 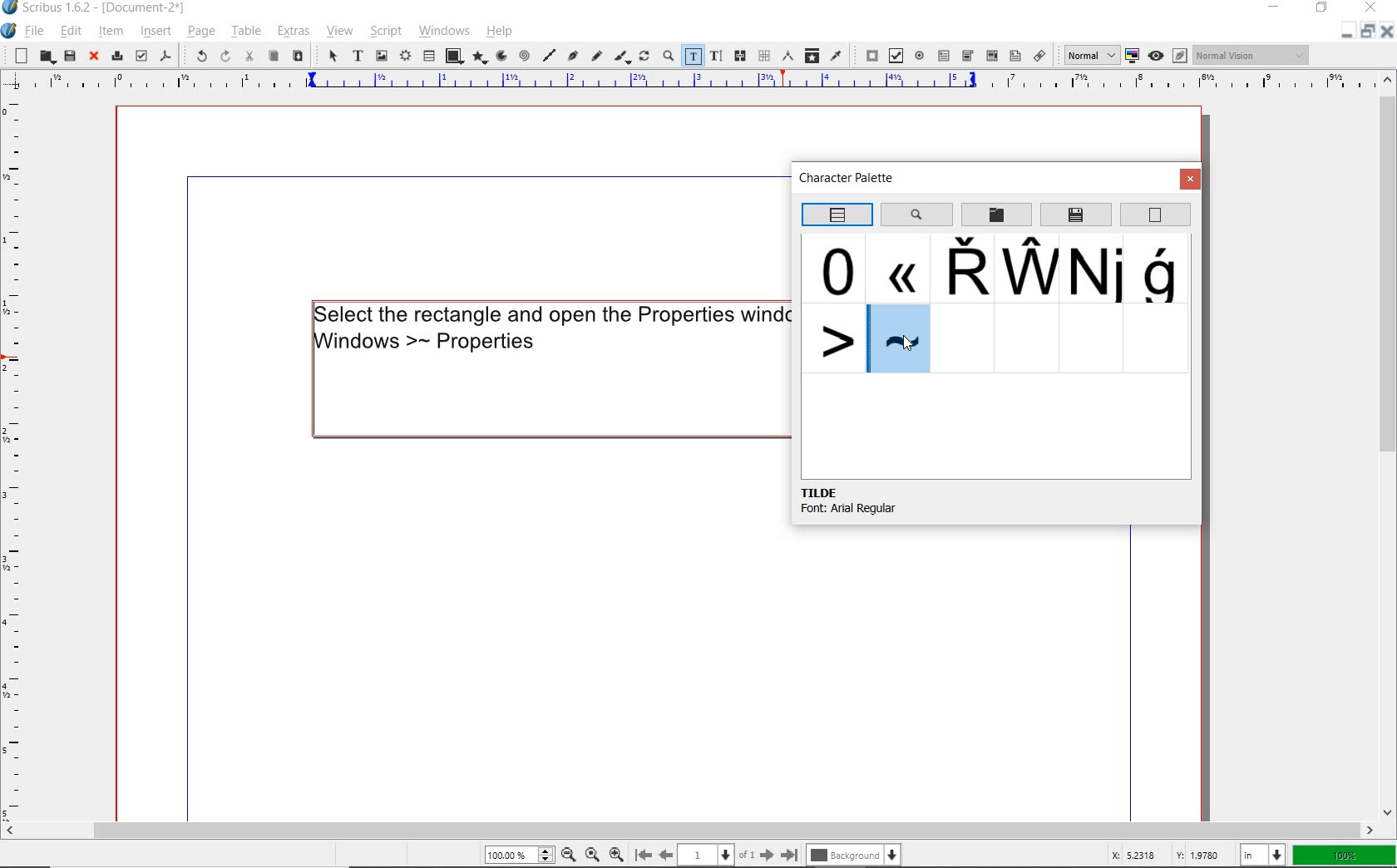 What do you see at coordinates (501, 56) in the screenshot?
I see `arc` at bounding box center [501, 56].